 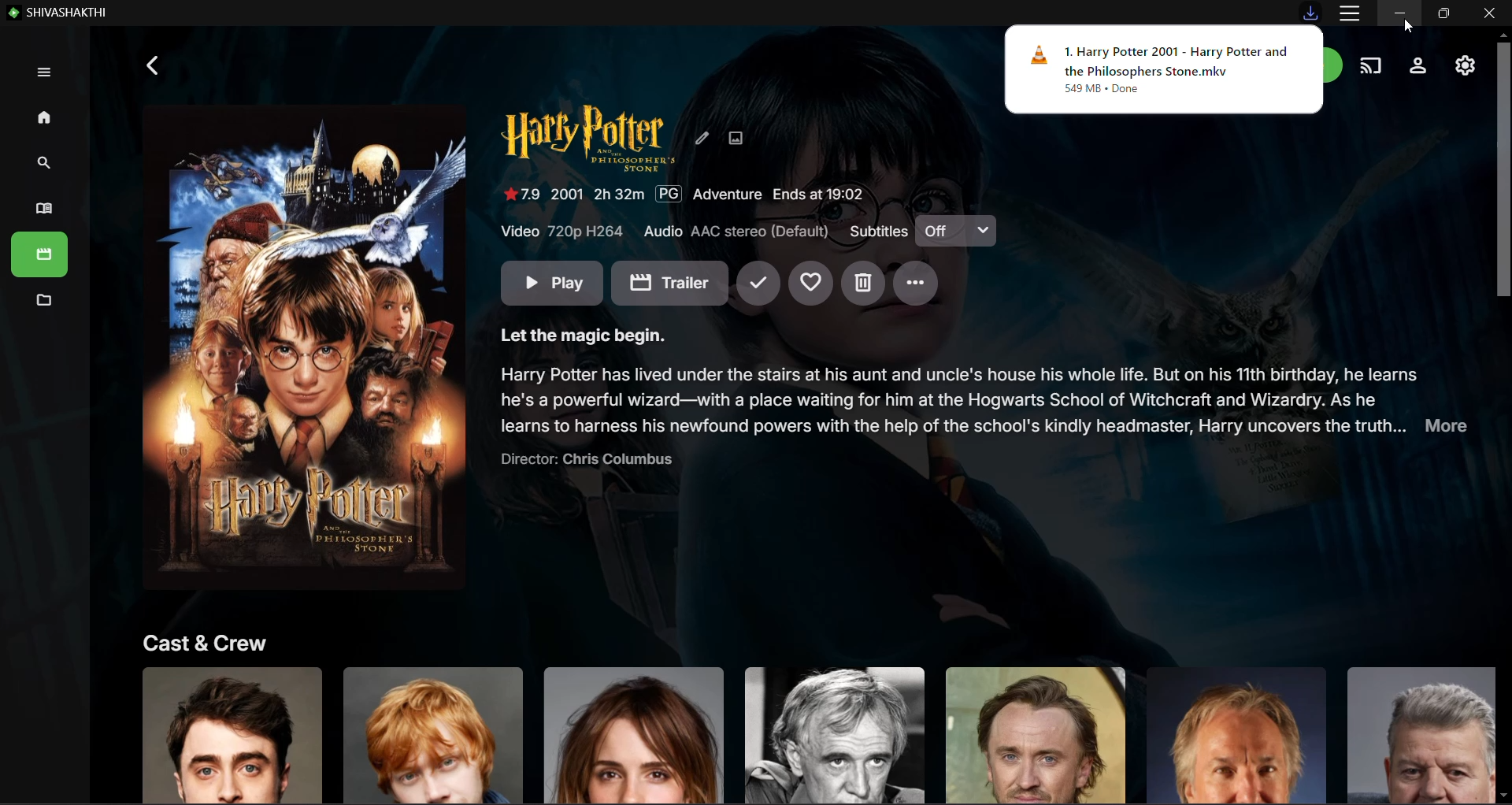 What do you see at coordinates (758, 284) in the screenshot?
I see `Mark Played` at bounding box center [758, 284].